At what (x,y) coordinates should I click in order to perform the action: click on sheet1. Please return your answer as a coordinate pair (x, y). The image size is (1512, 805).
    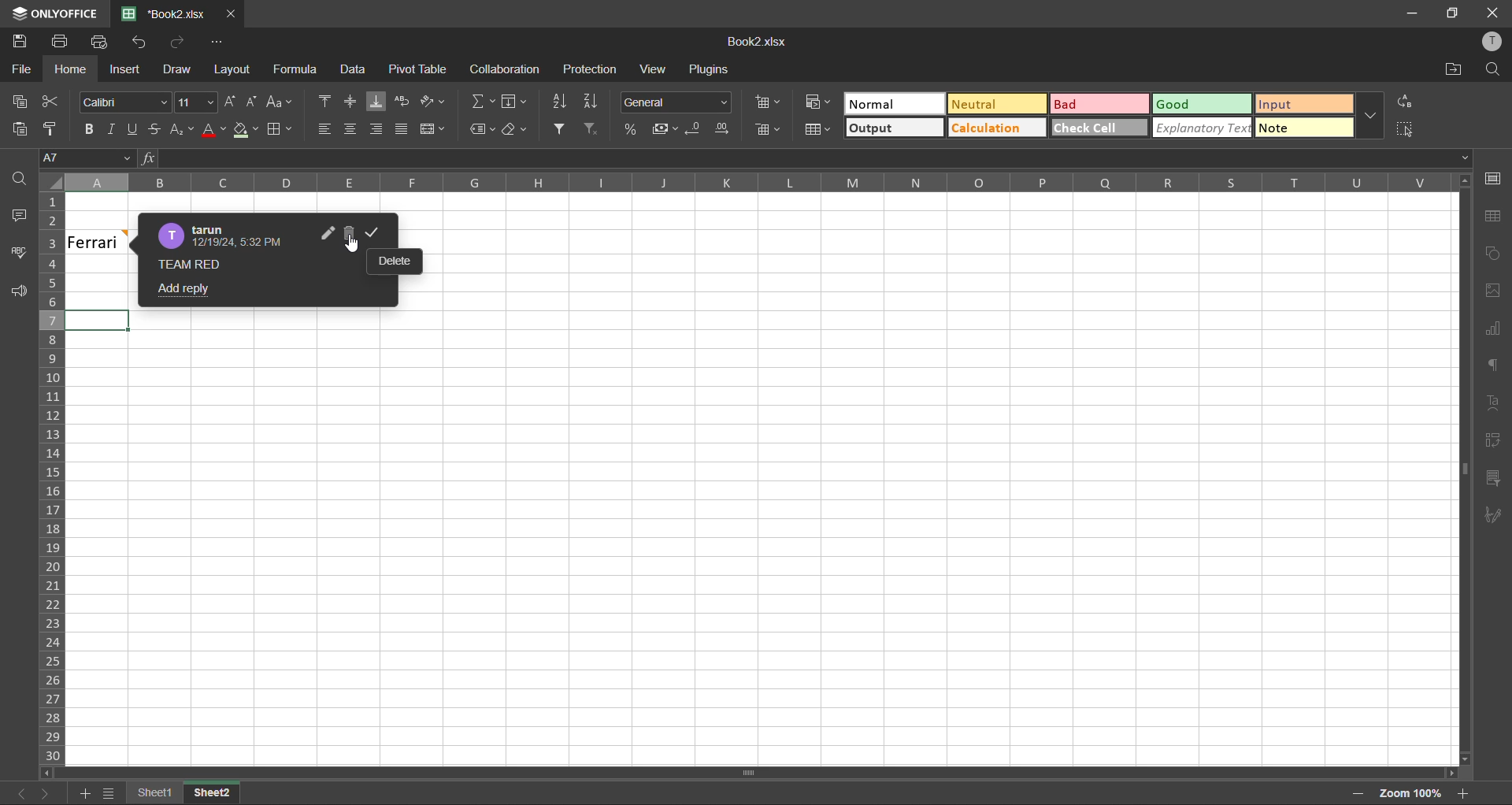
    Looking at the image, I should click on (156, 794).